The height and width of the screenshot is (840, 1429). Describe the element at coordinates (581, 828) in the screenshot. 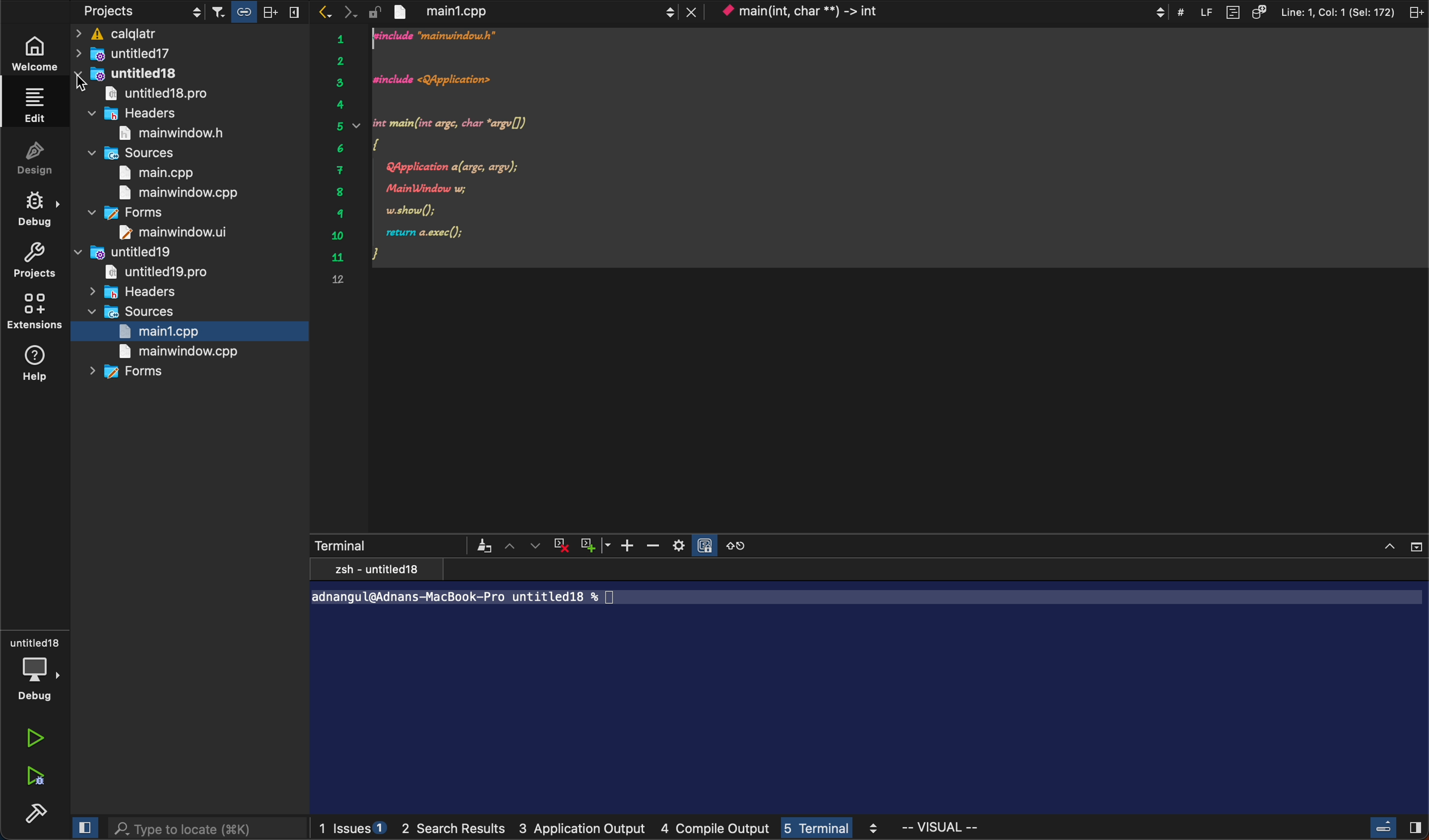

I see `3 application output` at that location.